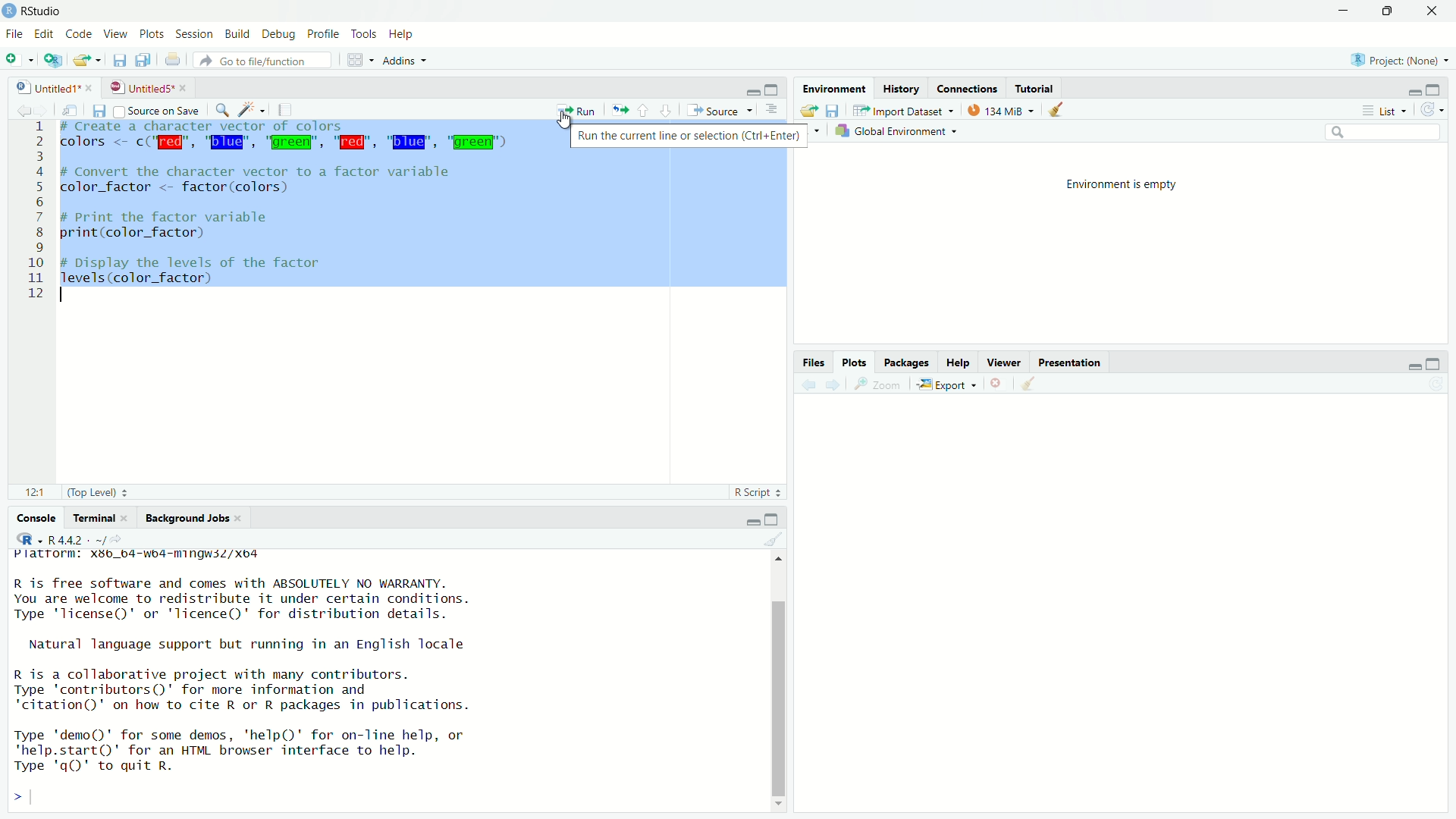  What do you see at coordinates (831, 384) in the screenshot?
I see `next plot` at bounding box center [831, 384].